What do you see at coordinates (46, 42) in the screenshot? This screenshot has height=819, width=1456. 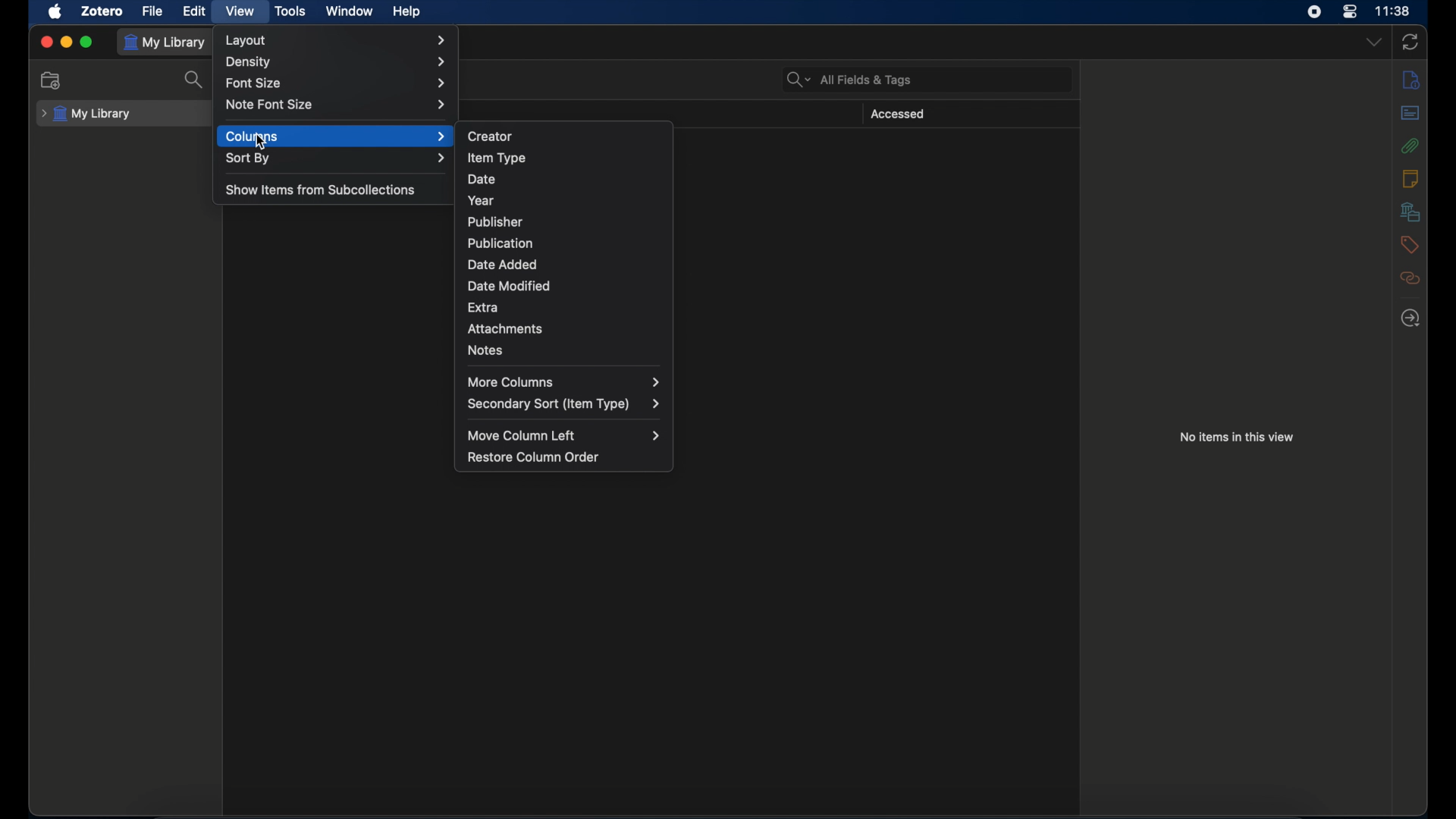 I see `close` at bounding box center [46, 42].